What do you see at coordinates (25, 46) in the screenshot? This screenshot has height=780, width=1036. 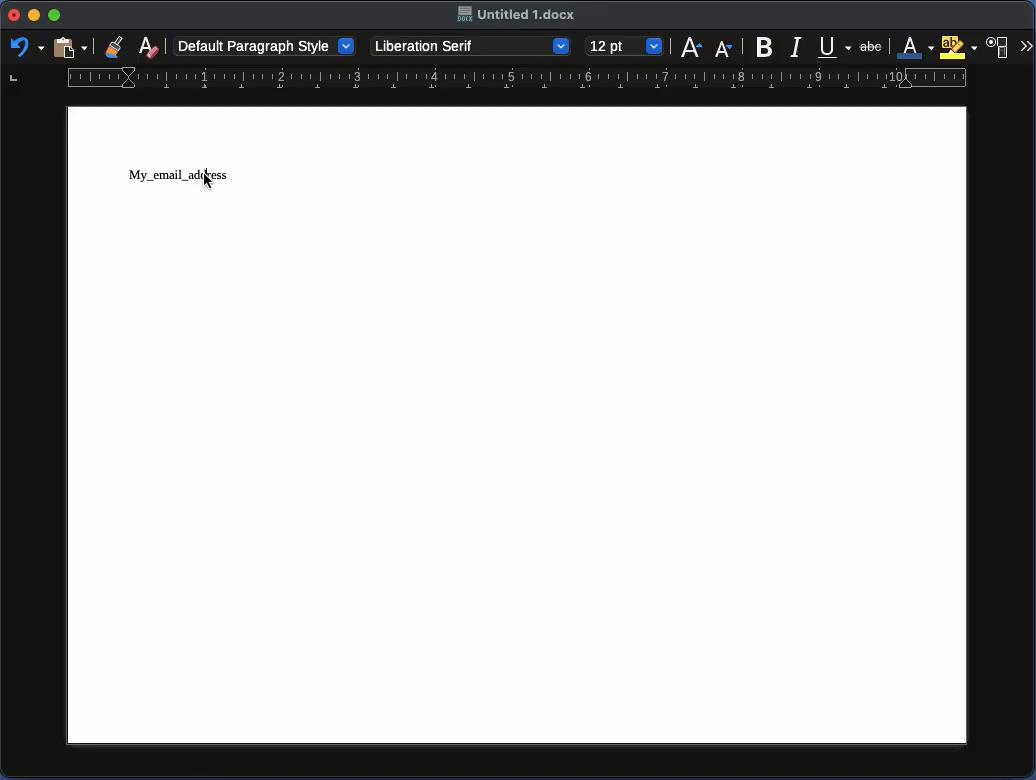 I see `Redo` at bounding box center [25, 46].